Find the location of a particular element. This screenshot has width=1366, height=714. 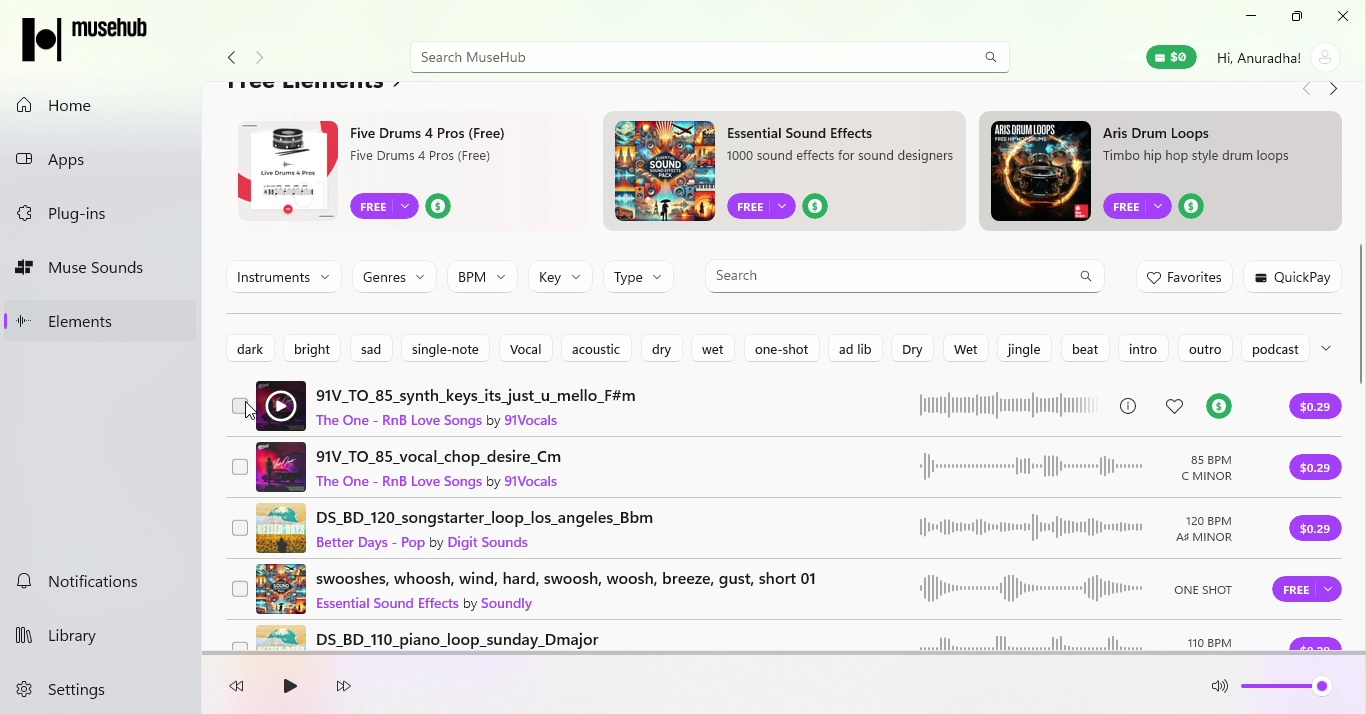

DS_BD_110_piano_loop_sunday_Dmajor is located at coordinates (754, 638).